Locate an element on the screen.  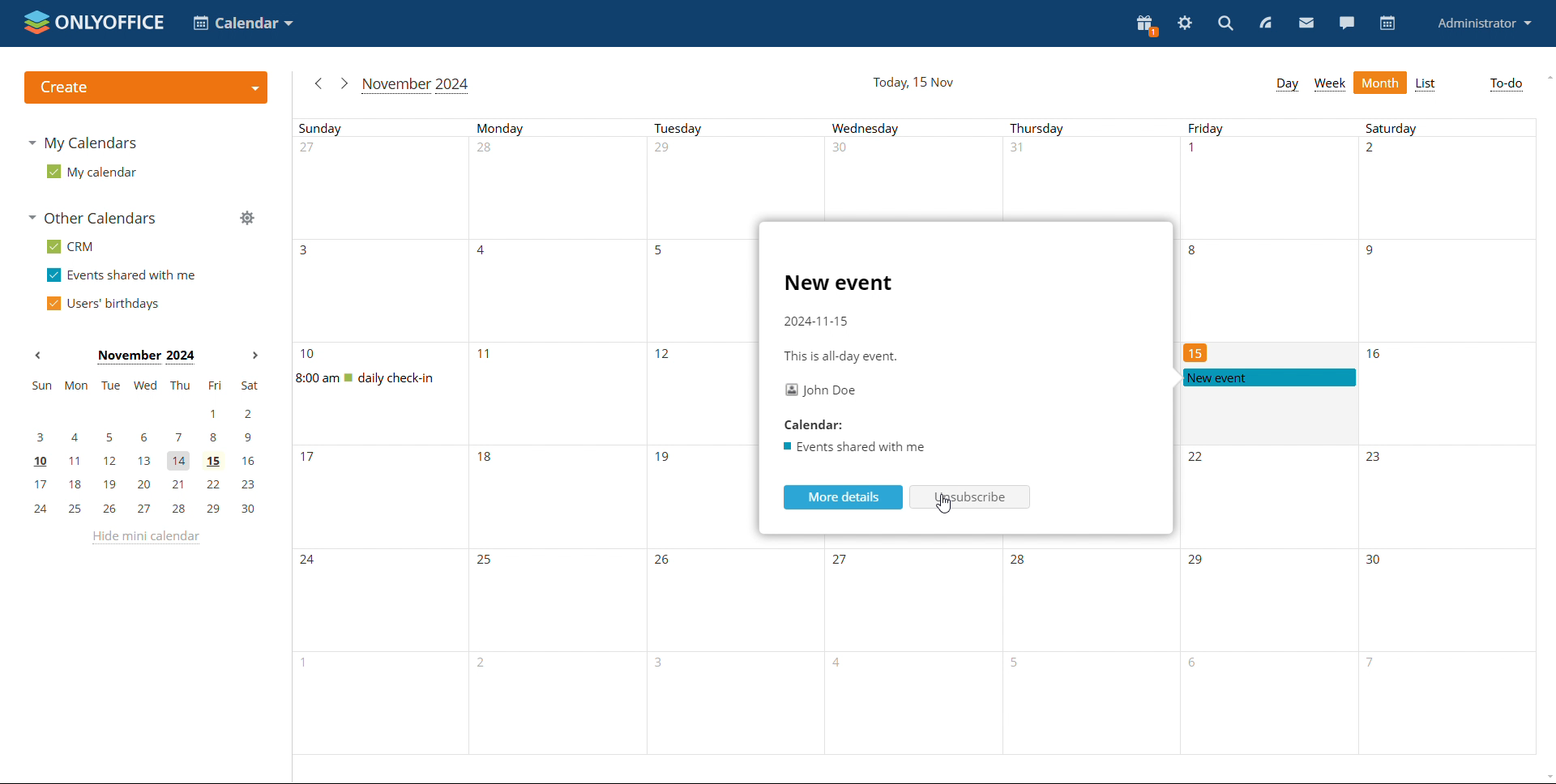
sun, mon, tue, wed, thu, fri, sat is located at coordinates (145, 387).